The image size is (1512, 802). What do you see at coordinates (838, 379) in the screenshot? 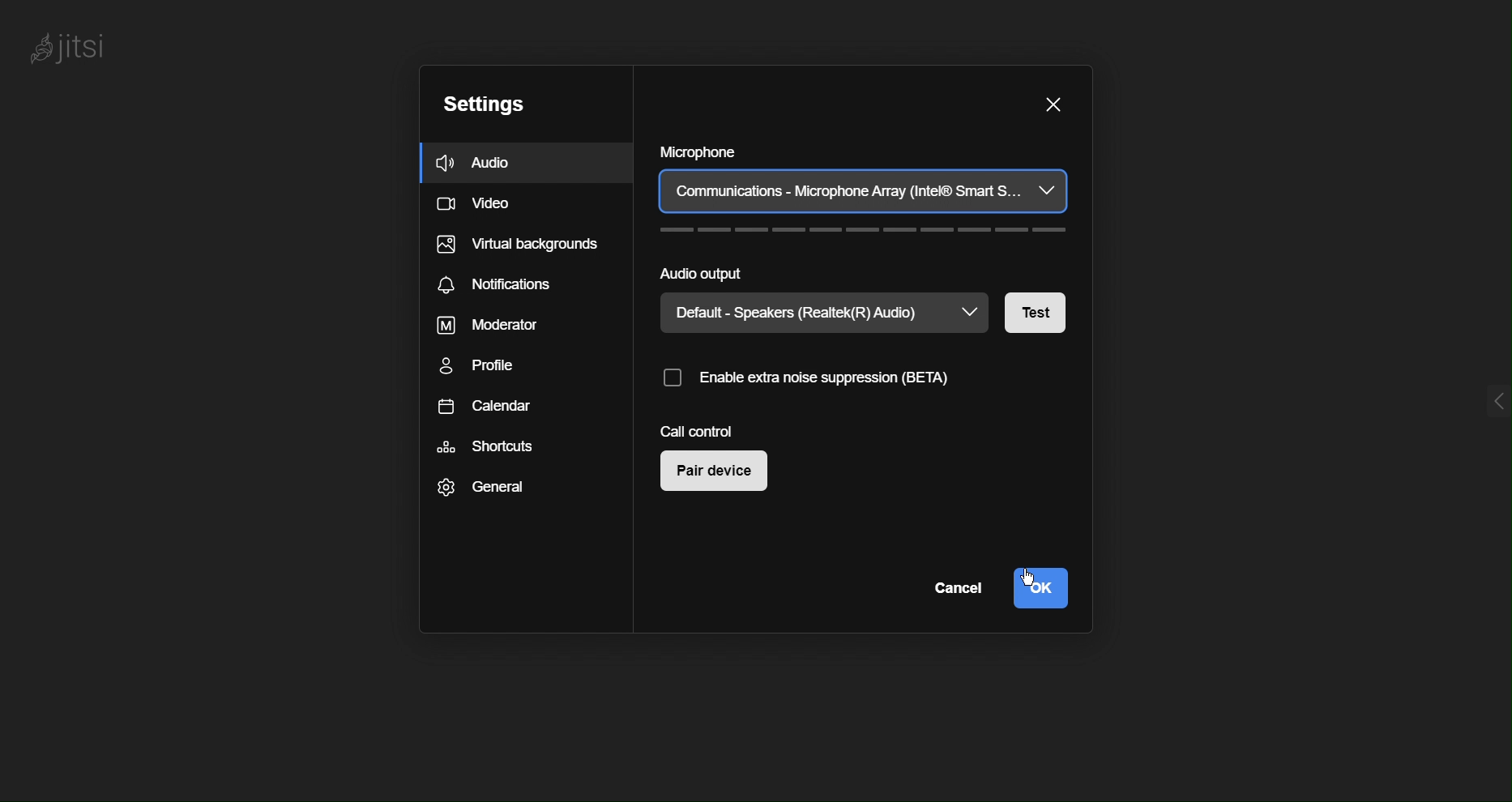
I see `Enable extra noise suppression(BETA)` at bounding box center [838, 379].